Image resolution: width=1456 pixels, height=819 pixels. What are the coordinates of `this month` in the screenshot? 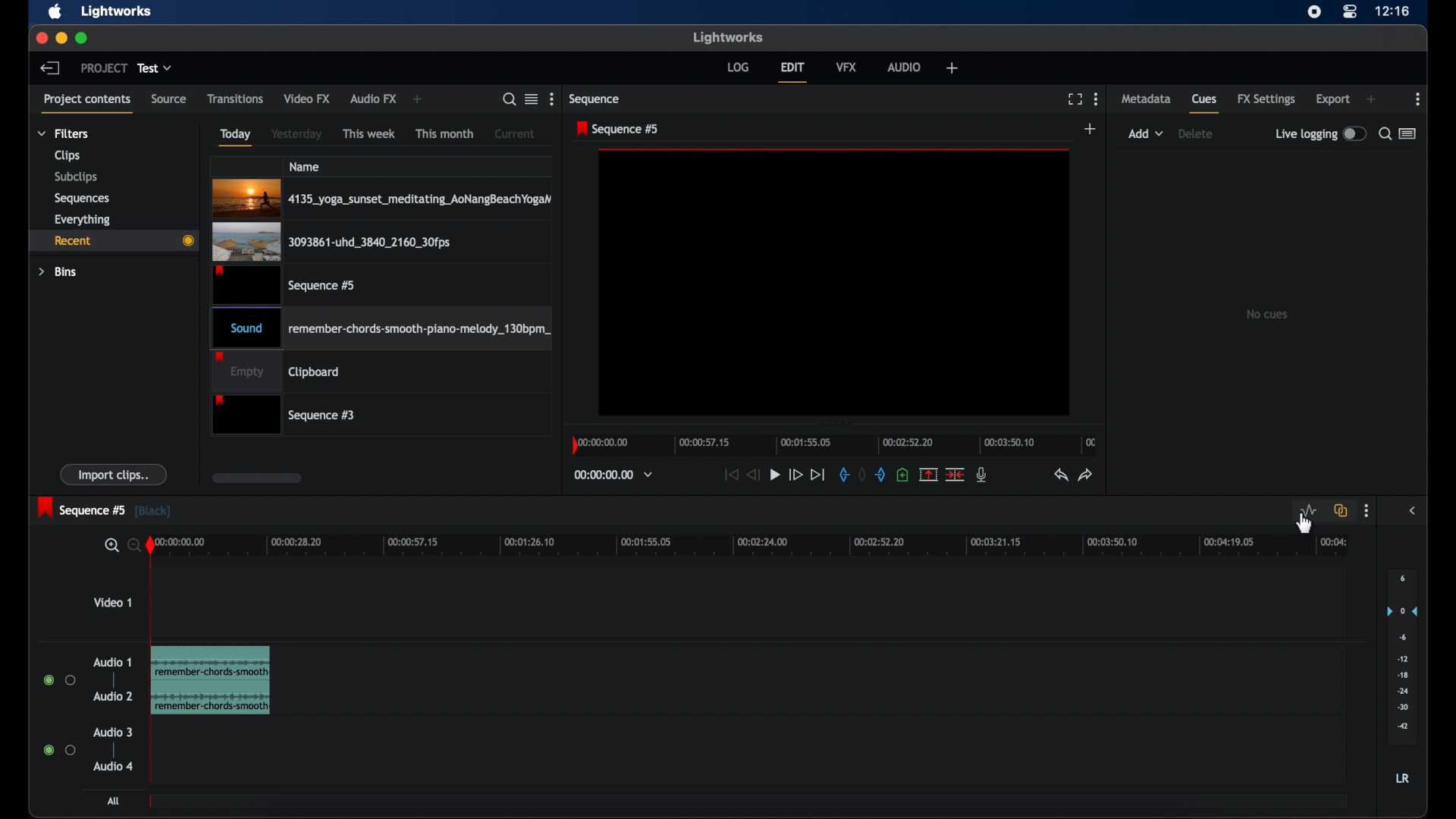 It's located at (446, 134).